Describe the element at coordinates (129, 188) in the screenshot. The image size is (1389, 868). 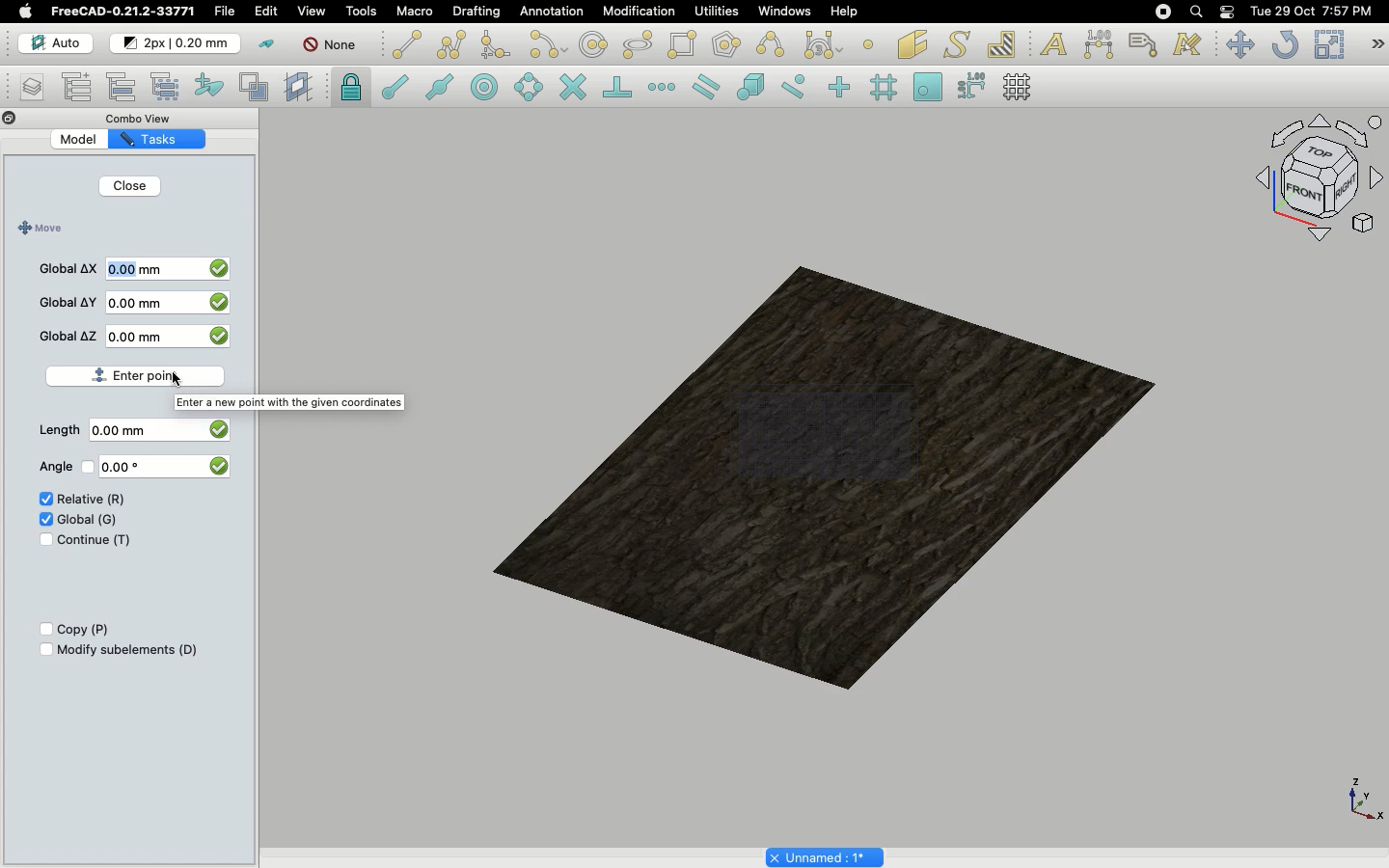
I see `Close` at that location.